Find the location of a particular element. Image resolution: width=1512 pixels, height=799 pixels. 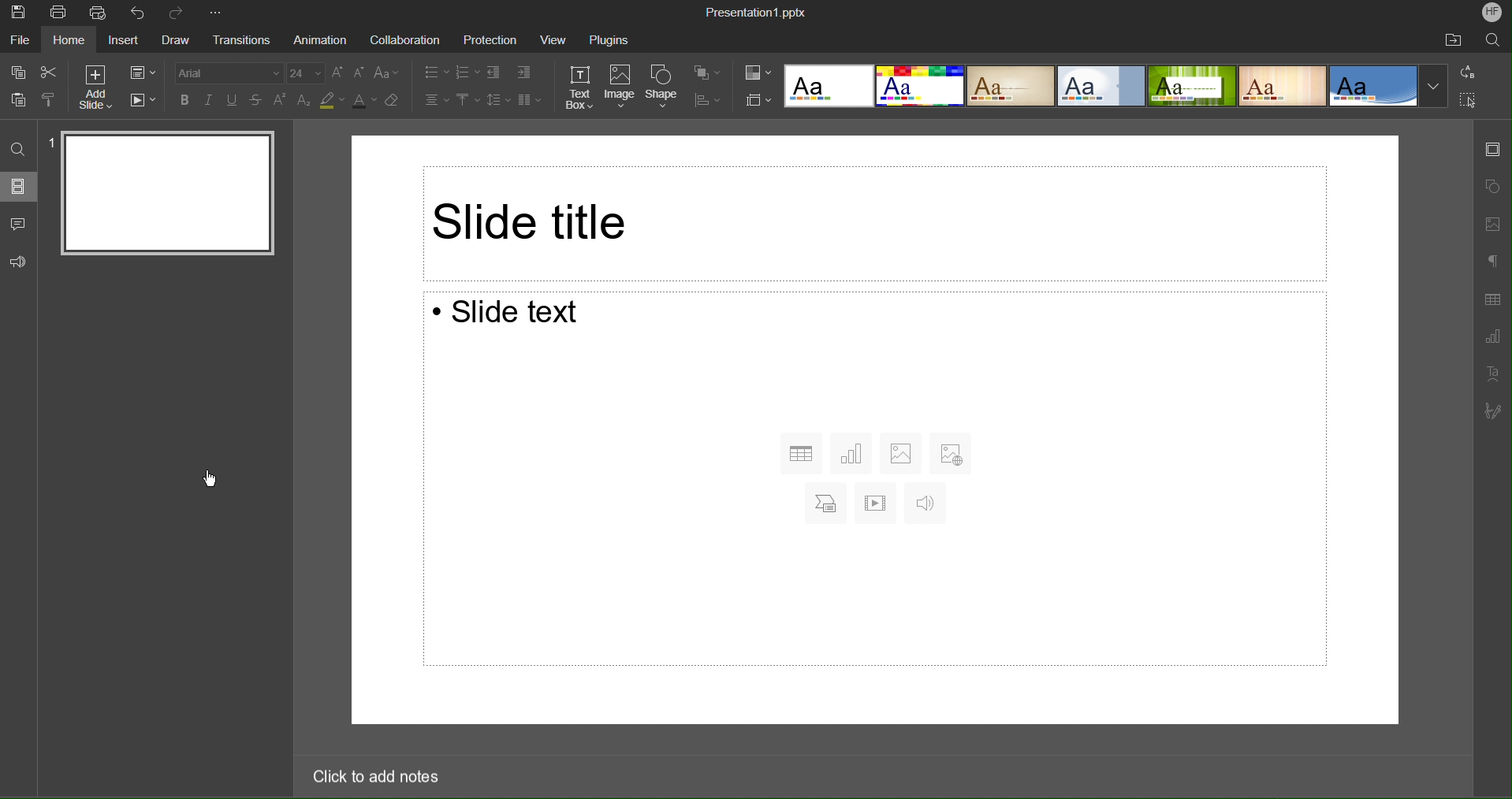

Search is located at coordinates (17, 147).